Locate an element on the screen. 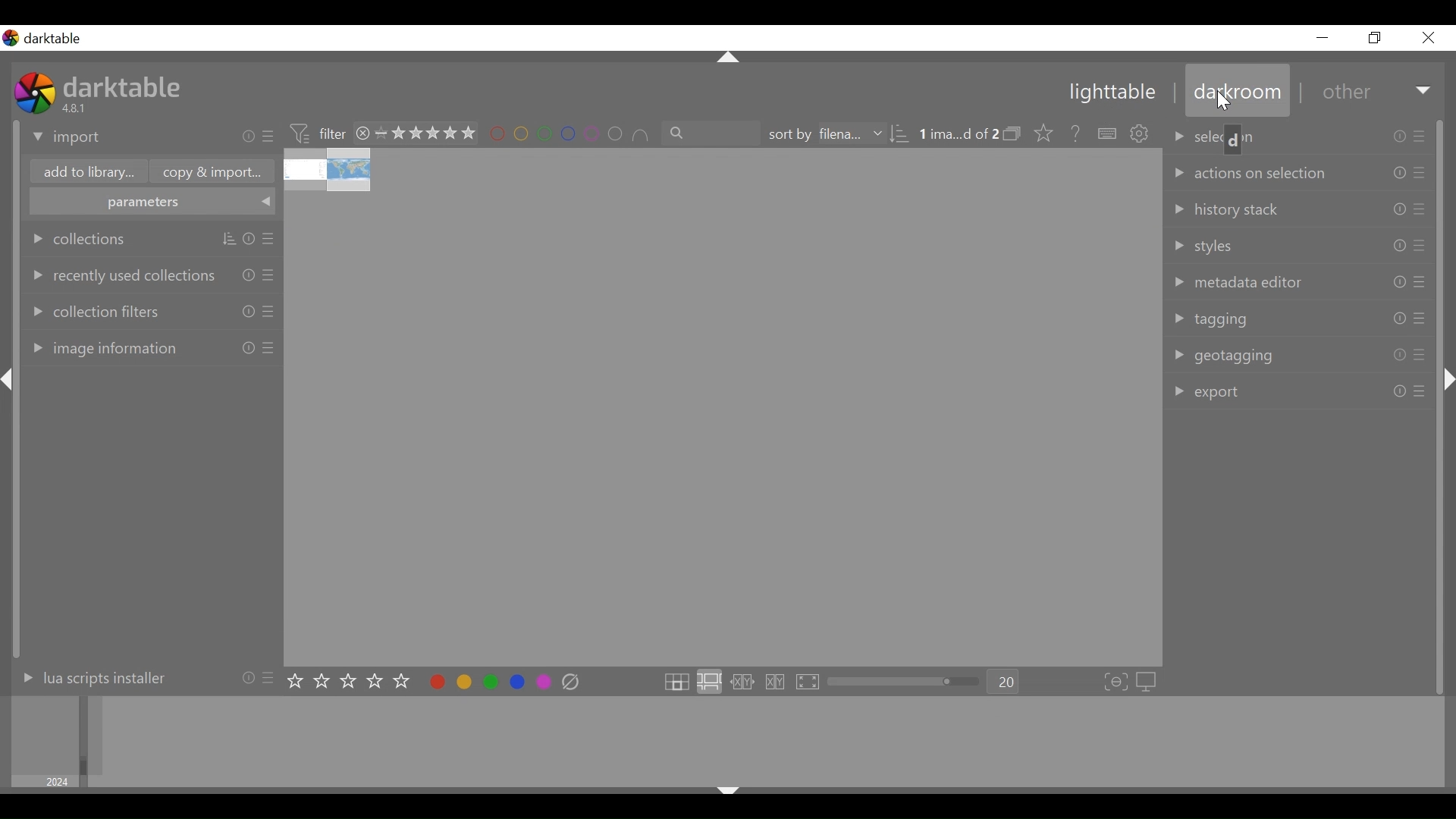 The image size is (1456, 819). export is located at coordinates (1253, 392).